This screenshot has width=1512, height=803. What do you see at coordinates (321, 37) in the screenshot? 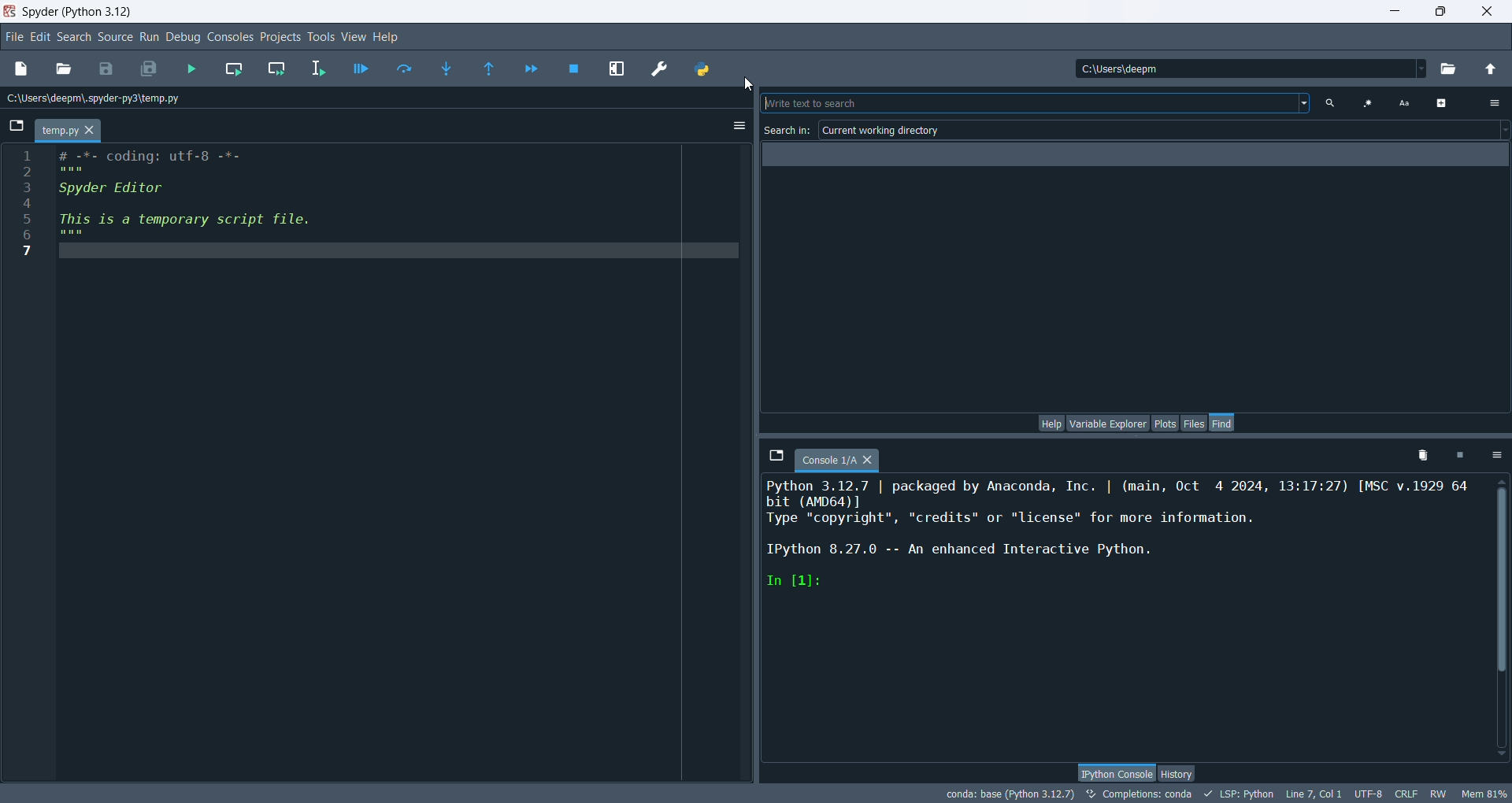
I see `tools` at bounding box center [321, 37].